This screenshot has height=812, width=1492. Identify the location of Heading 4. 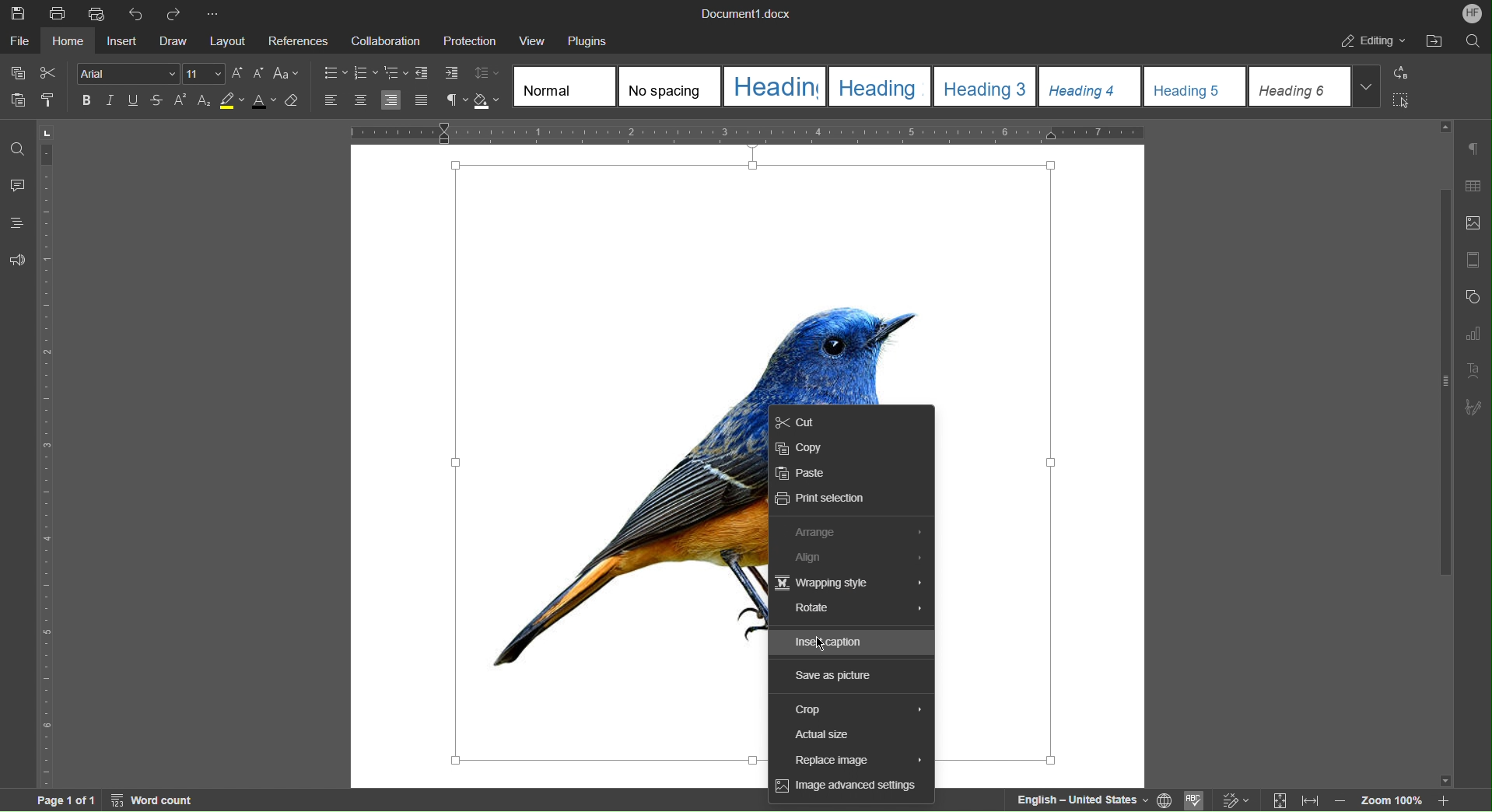
(1090, 86).